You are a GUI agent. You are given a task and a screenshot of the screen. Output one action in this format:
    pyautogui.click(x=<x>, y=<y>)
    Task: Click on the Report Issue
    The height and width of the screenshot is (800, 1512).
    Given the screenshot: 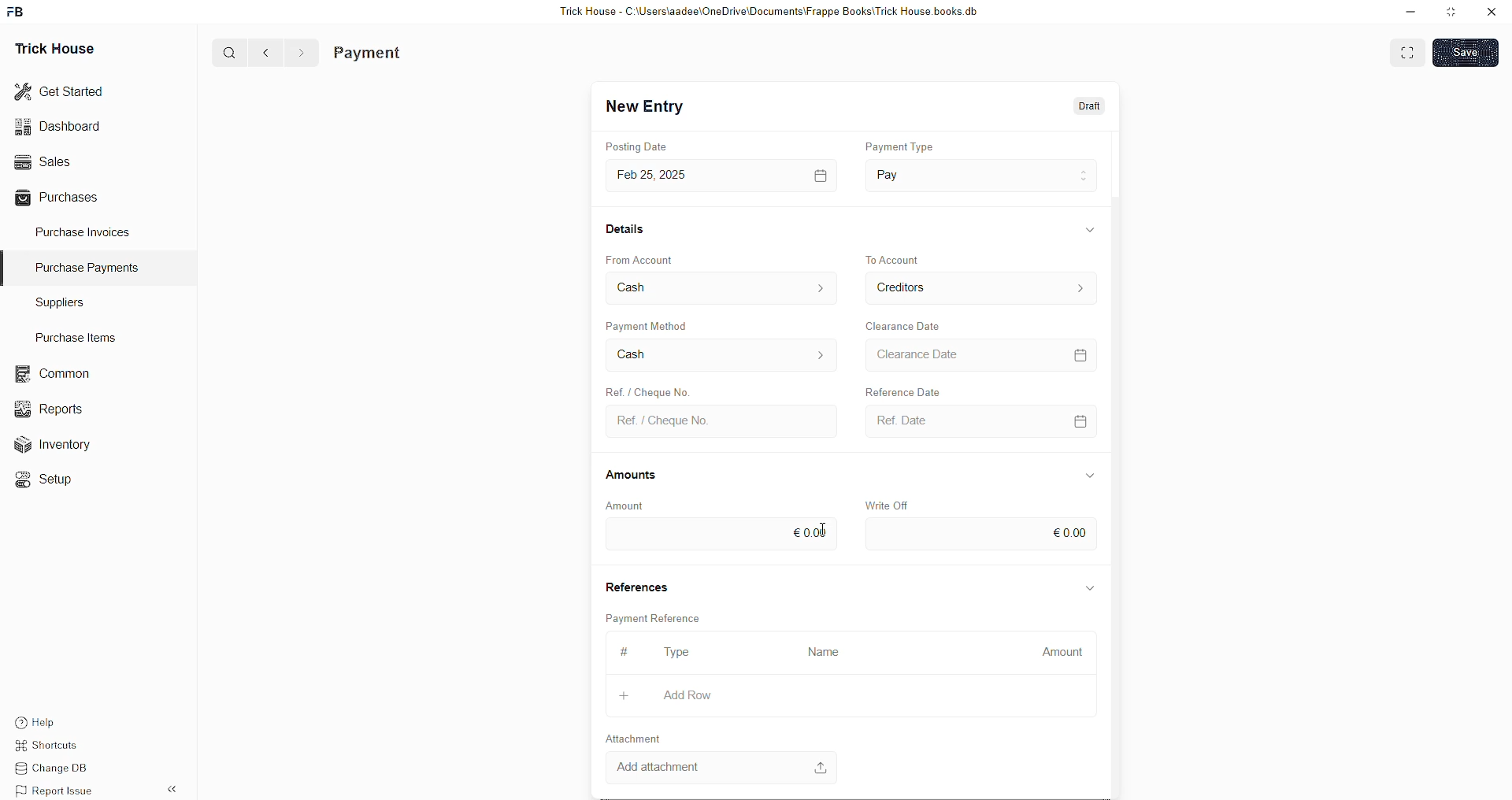 What is the action you would take?
    pyautogui.click(x=59, y=791)
    